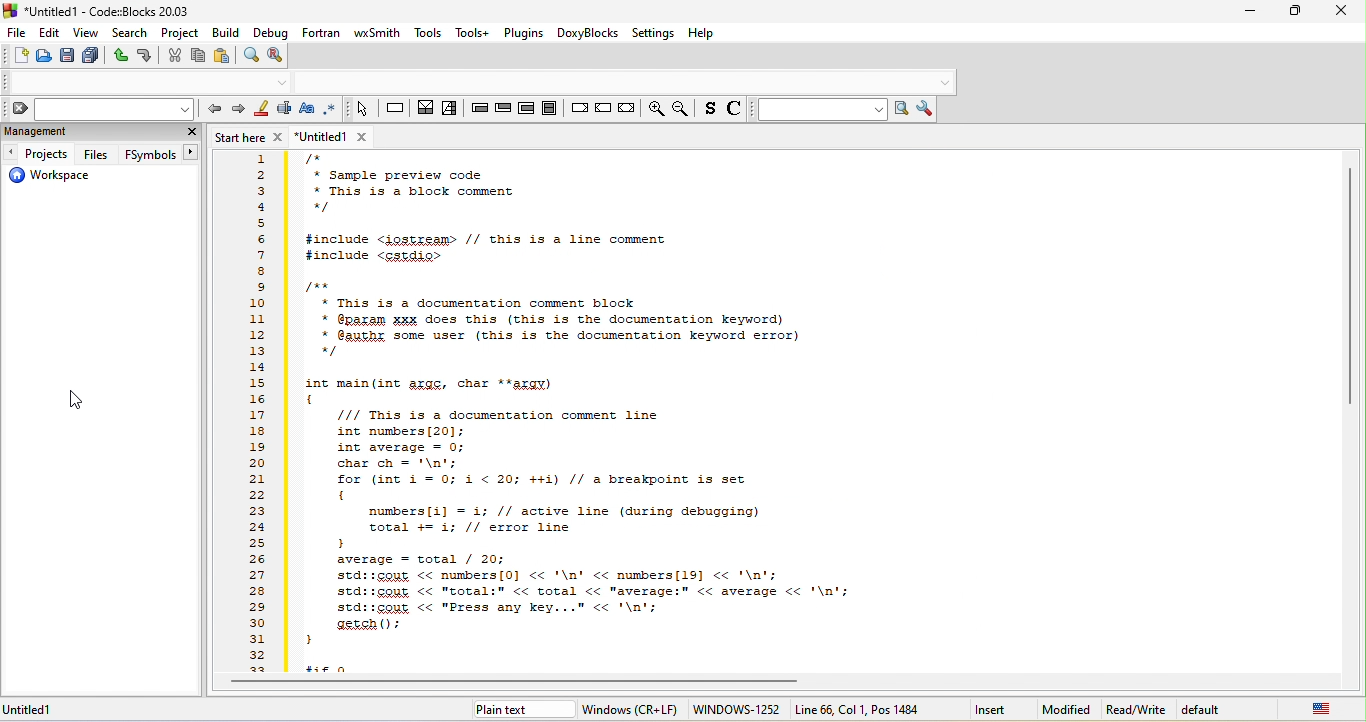 The height and width of the screenshot is (722, 1366). What do you see at coordinates (74, 400) in the screenshot?
I see `cursor` at bounding box center [74, 400].